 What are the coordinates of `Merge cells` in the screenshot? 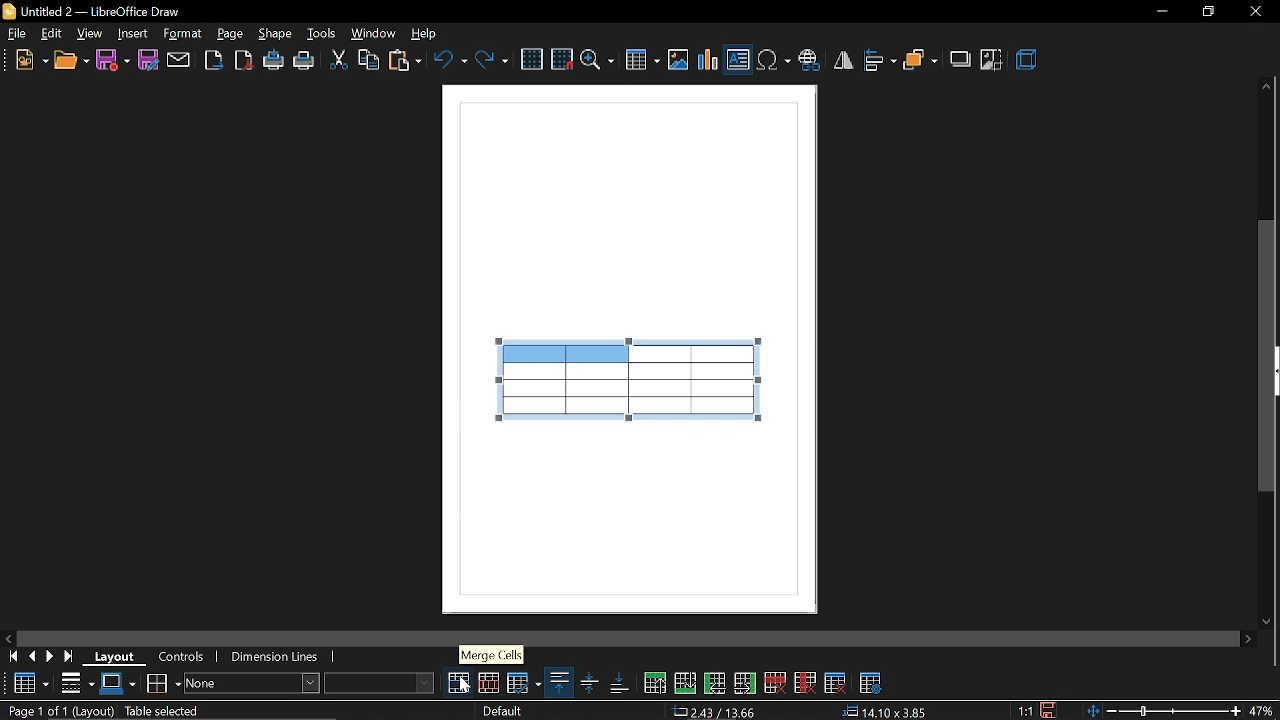 It's located at (491, 655).